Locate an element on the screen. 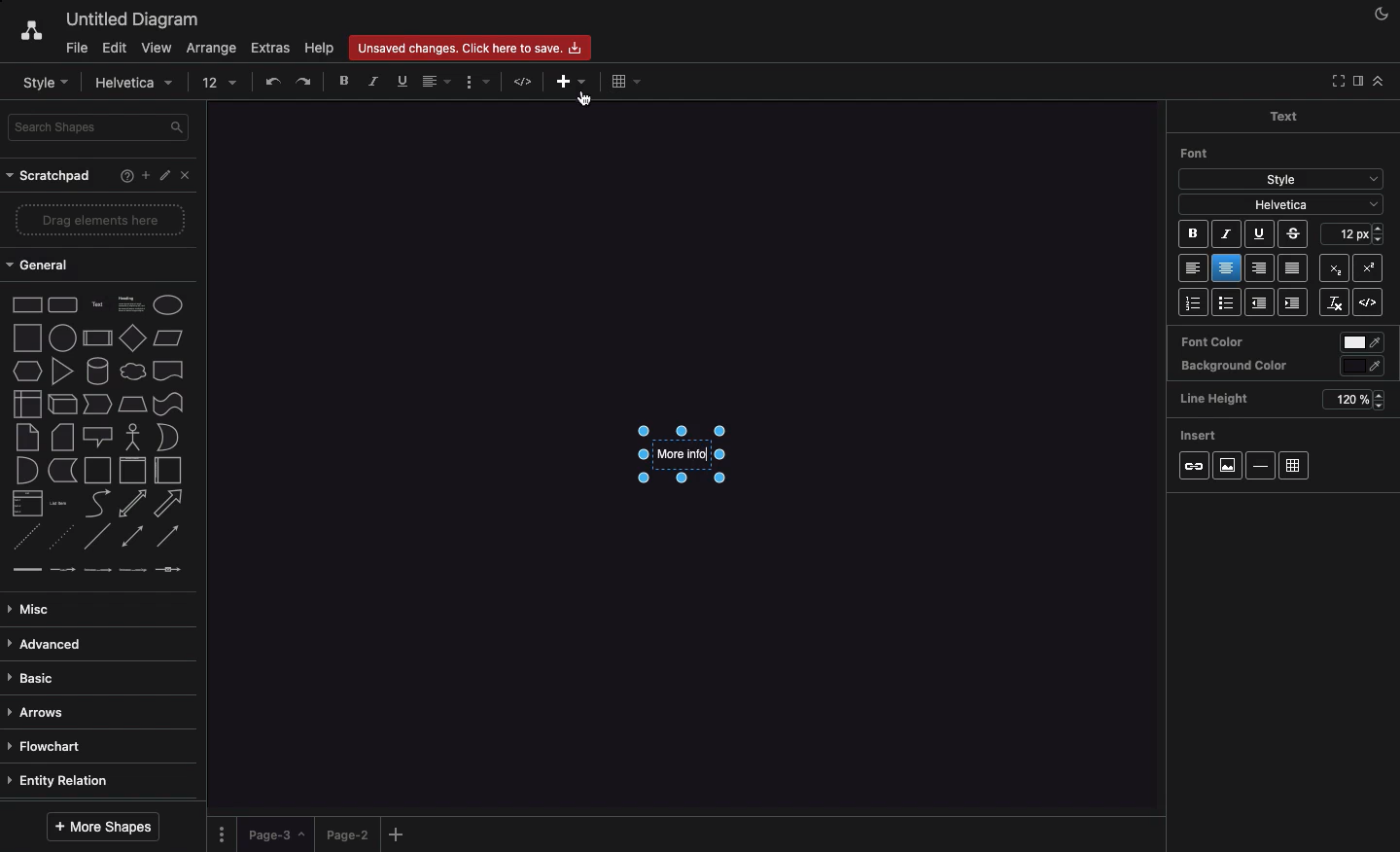 The height and width of the screenshot is (852, 1400). curve is located at coordinates (98, 502).